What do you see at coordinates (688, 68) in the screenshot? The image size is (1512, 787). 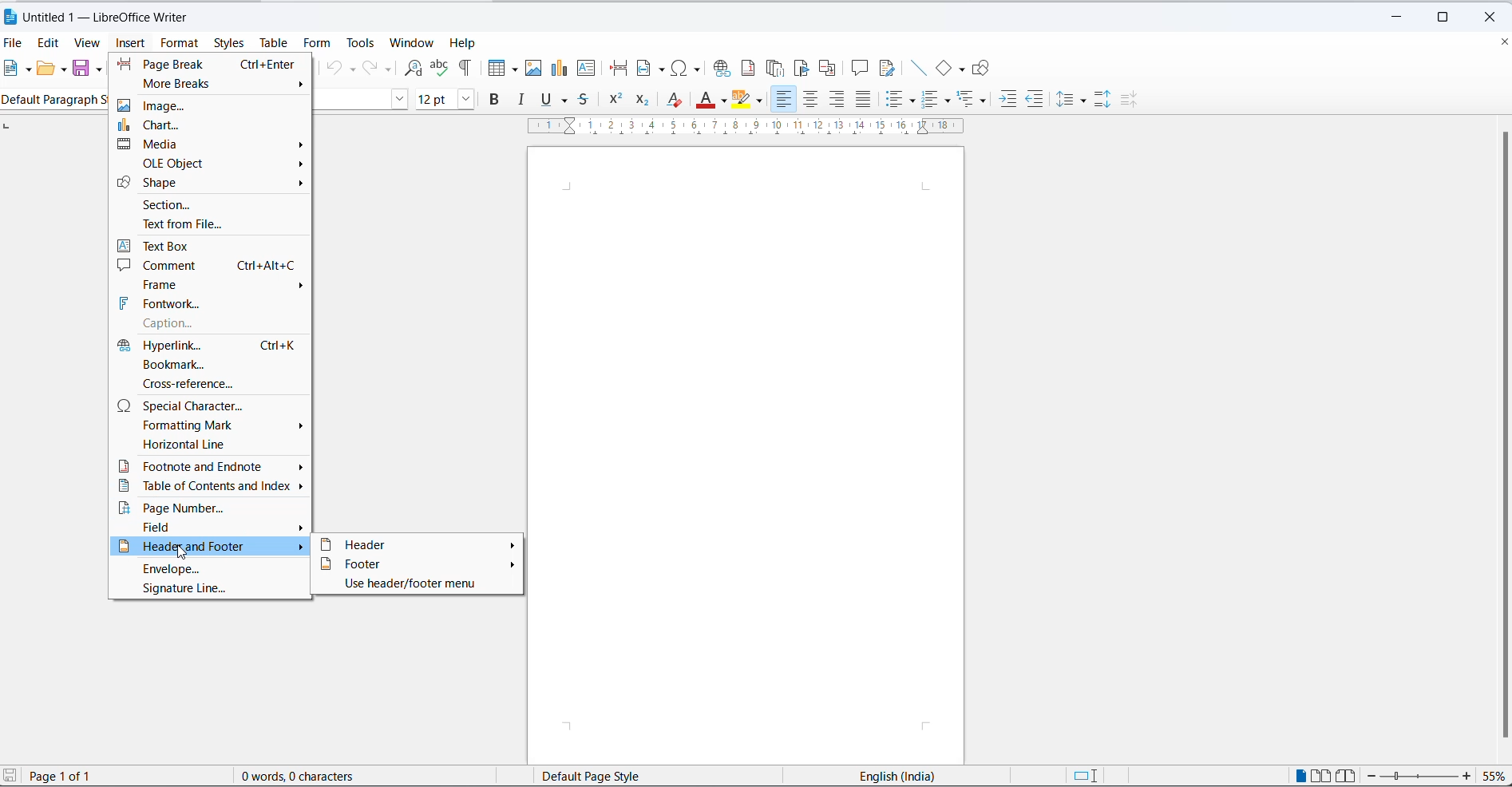 I see `insert special characters` at bounding box center [688, 68].